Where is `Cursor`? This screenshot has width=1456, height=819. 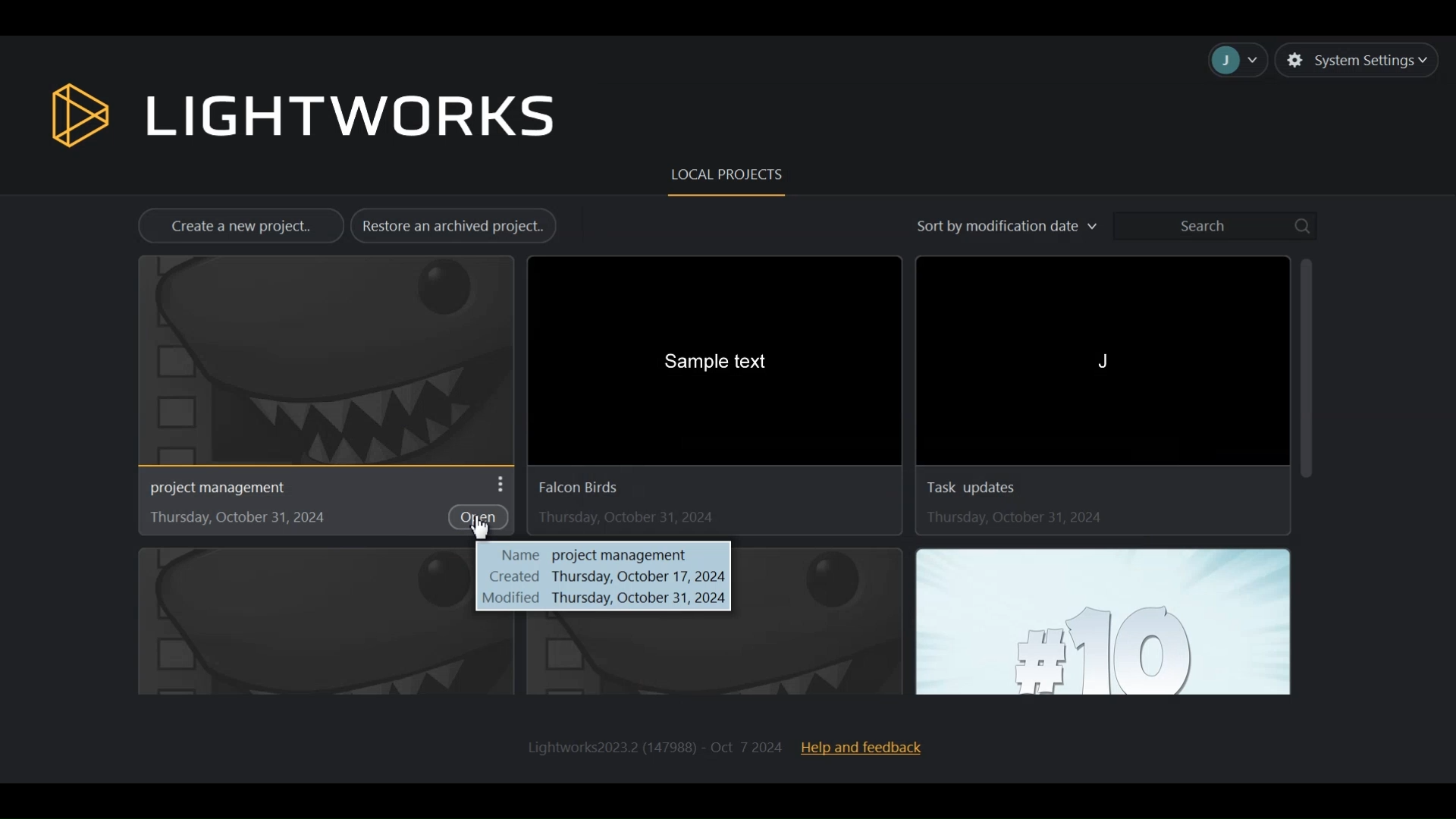
Cursor is located at coordinates (483, 528).